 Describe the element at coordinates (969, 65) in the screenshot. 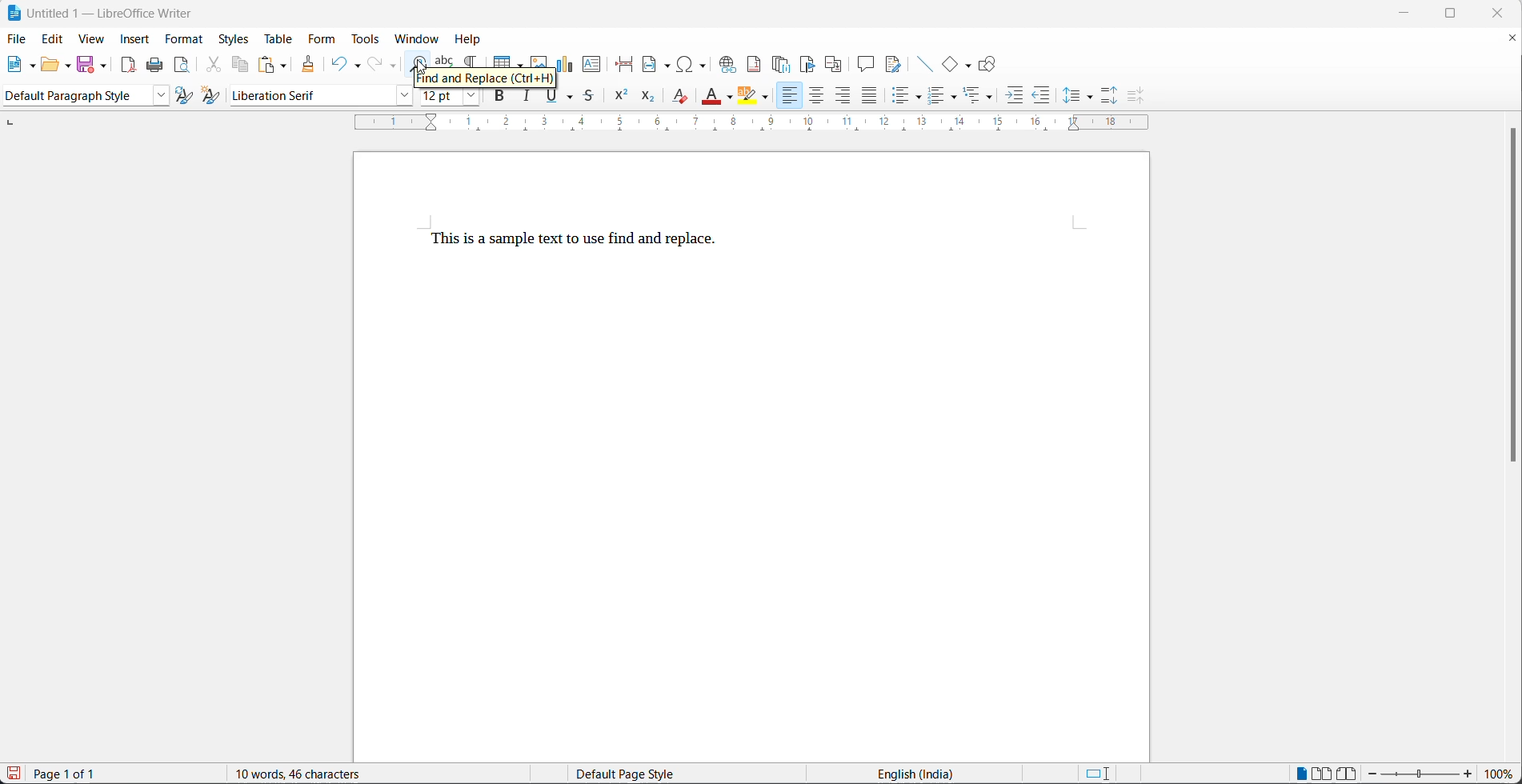

I see `basic shapes functions` at that location.